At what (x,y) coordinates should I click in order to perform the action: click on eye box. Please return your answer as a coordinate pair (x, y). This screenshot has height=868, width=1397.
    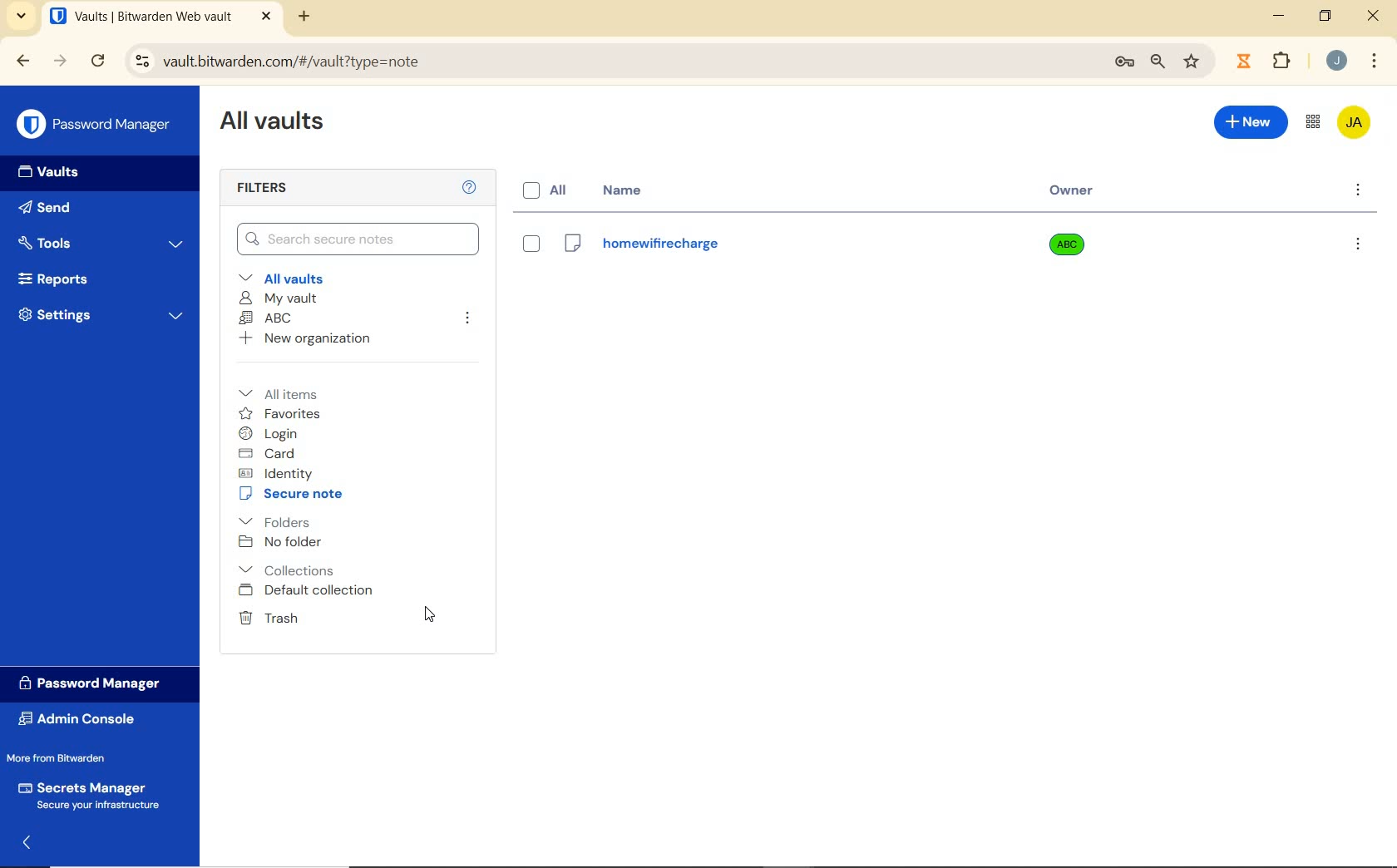
    Looking at the image, I should click on (530, 244).